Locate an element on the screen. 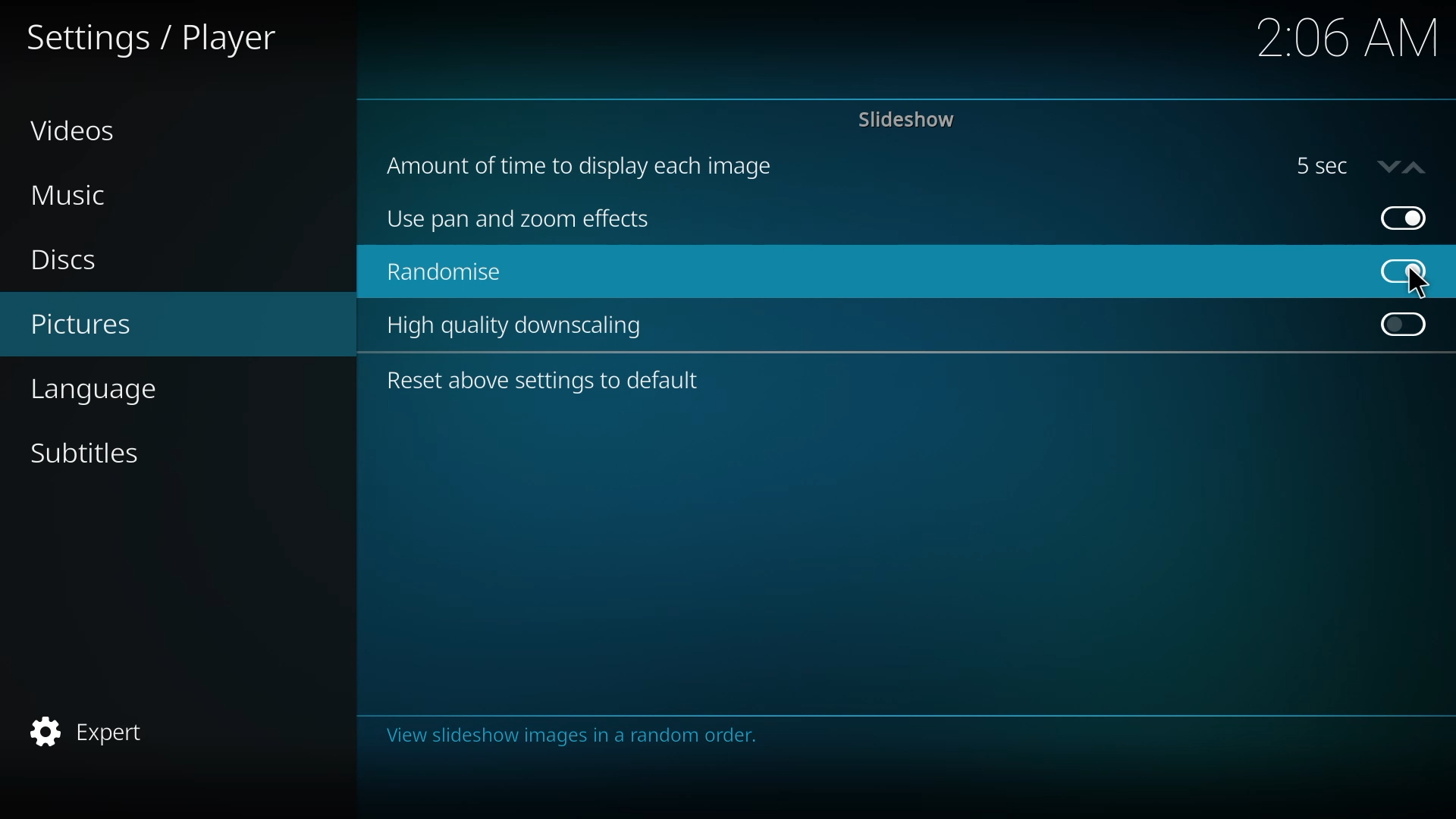 This screenshot has width=1456, height=819. enabled is located at coordinates (1400, 269).